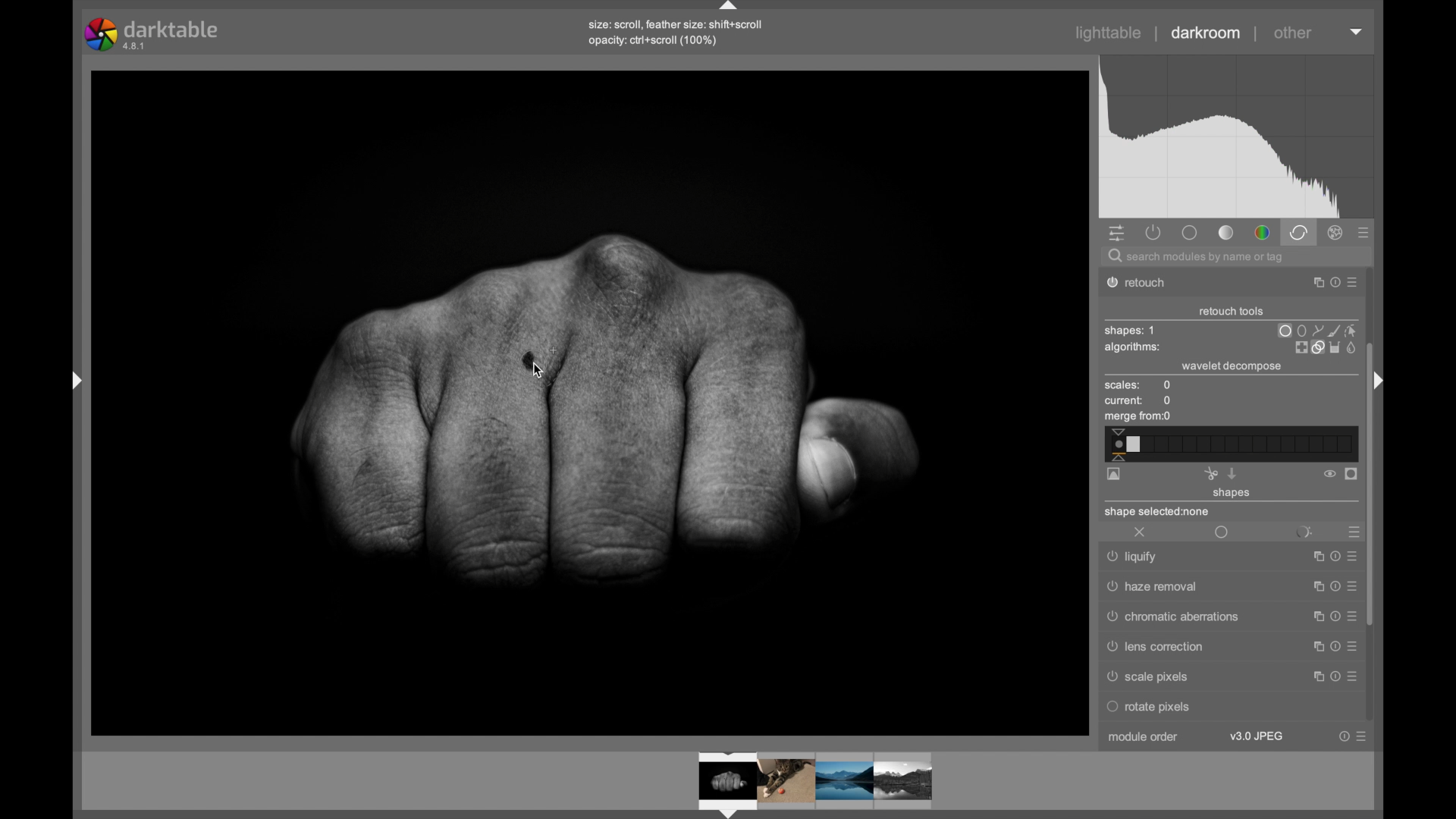  I want to click on v3.0 JPEG, so click(1257, 736).